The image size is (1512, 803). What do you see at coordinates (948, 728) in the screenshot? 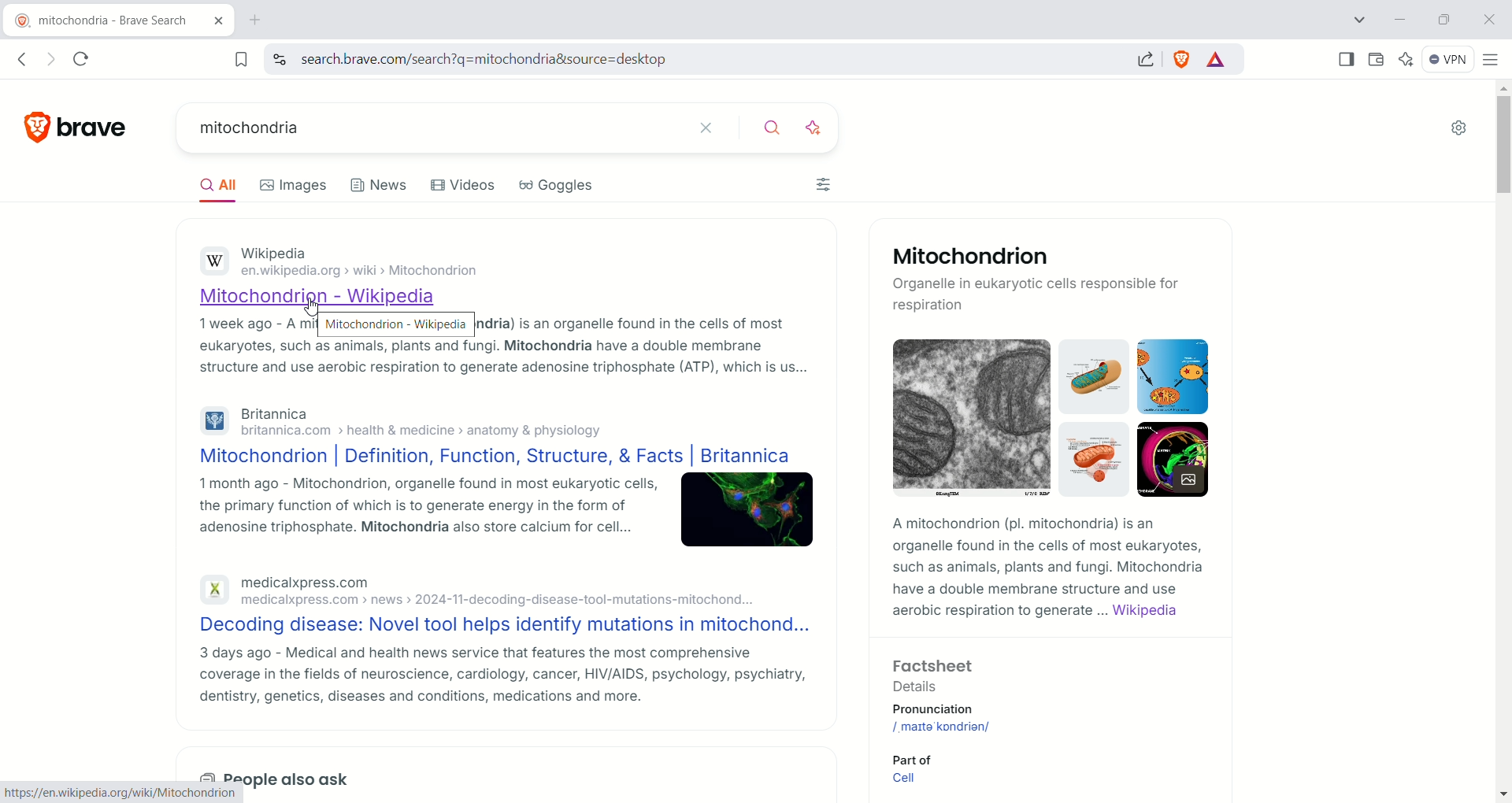
I see `mitochondrion` at bounding box center [948, 728].